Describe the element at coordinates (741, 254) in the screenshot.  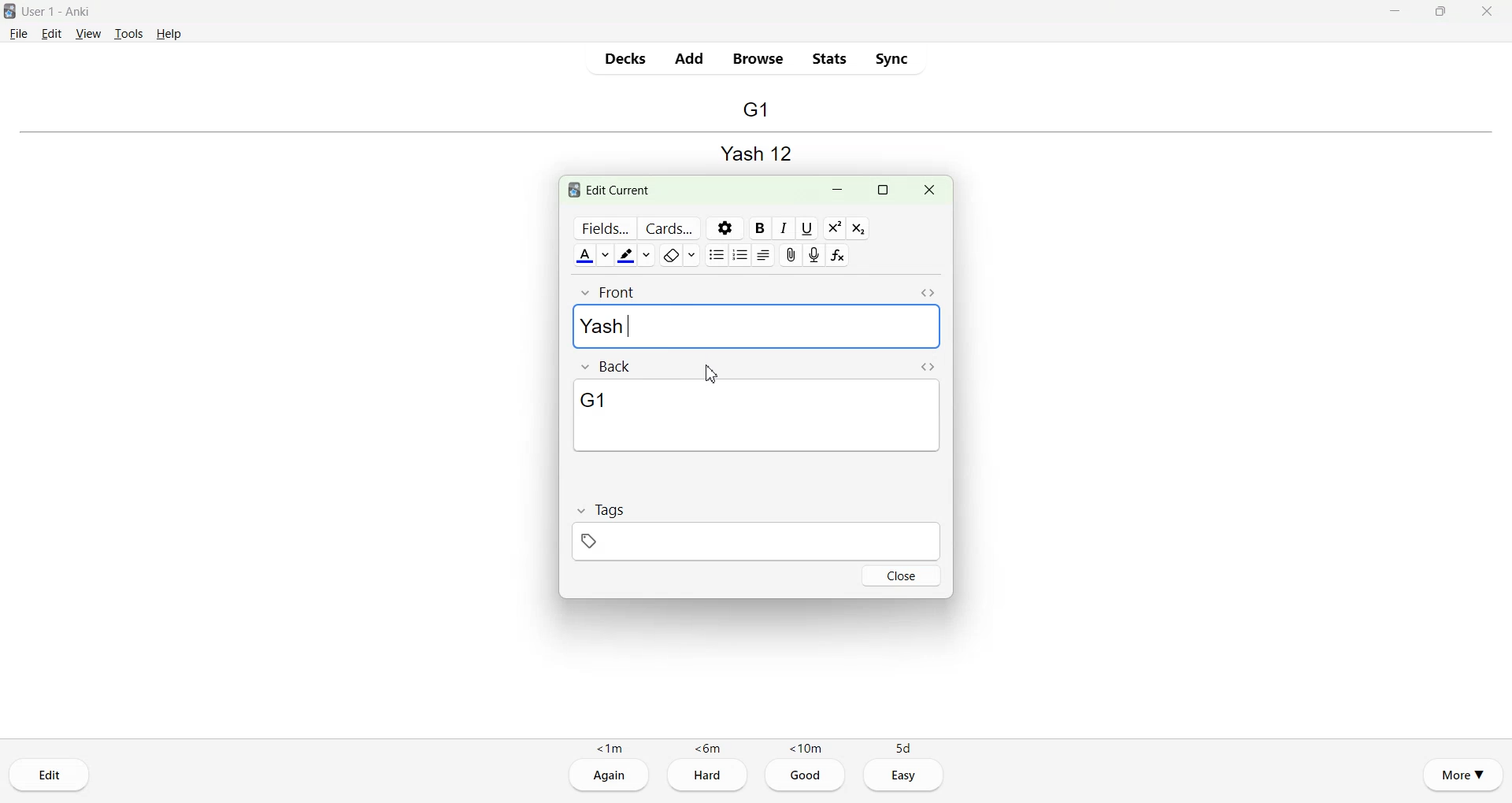
I see `Ordered list` at that location.